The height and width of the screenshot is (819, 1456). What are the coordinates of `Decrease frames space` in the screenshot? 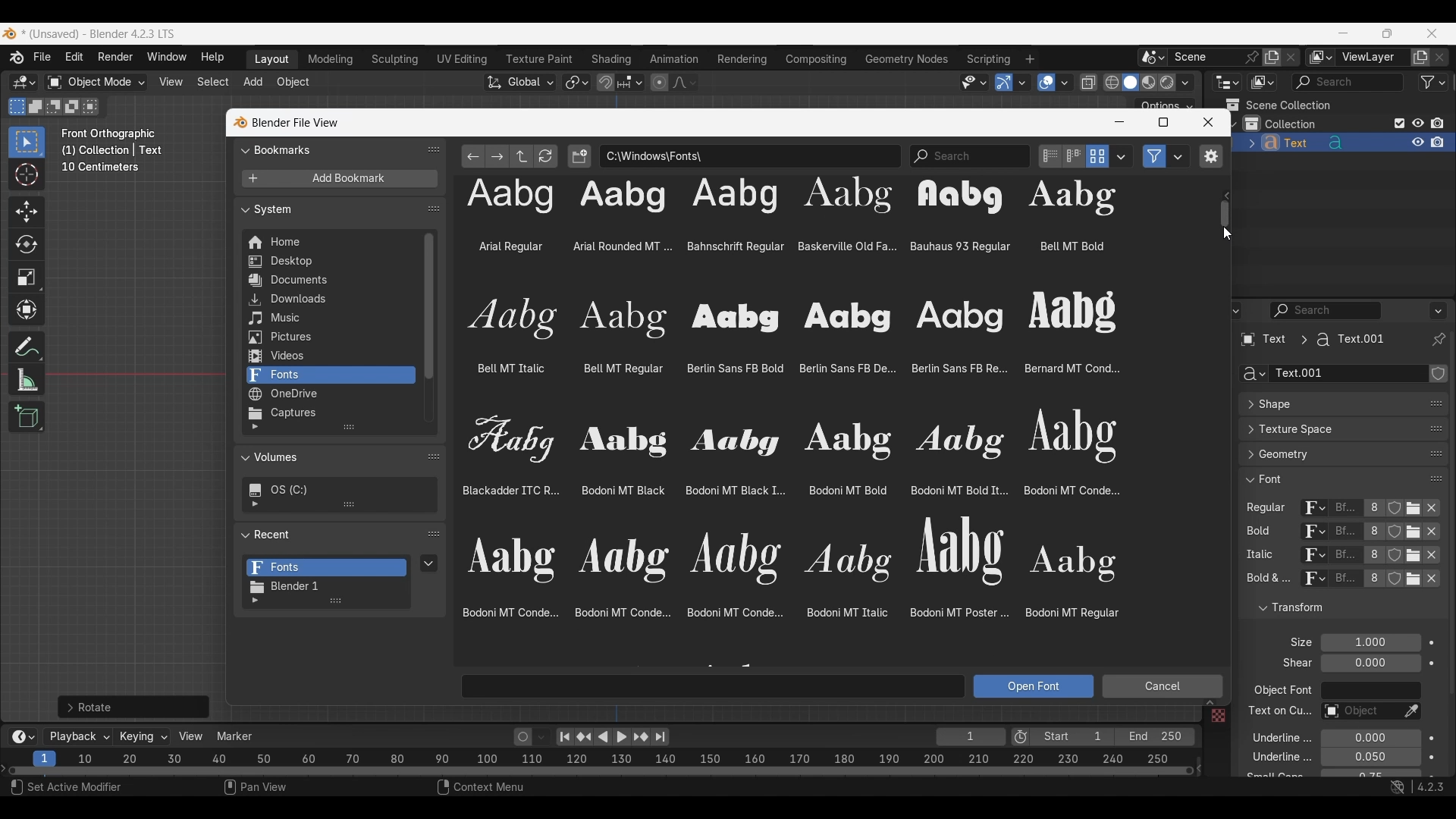 It's located at (1200, 767).